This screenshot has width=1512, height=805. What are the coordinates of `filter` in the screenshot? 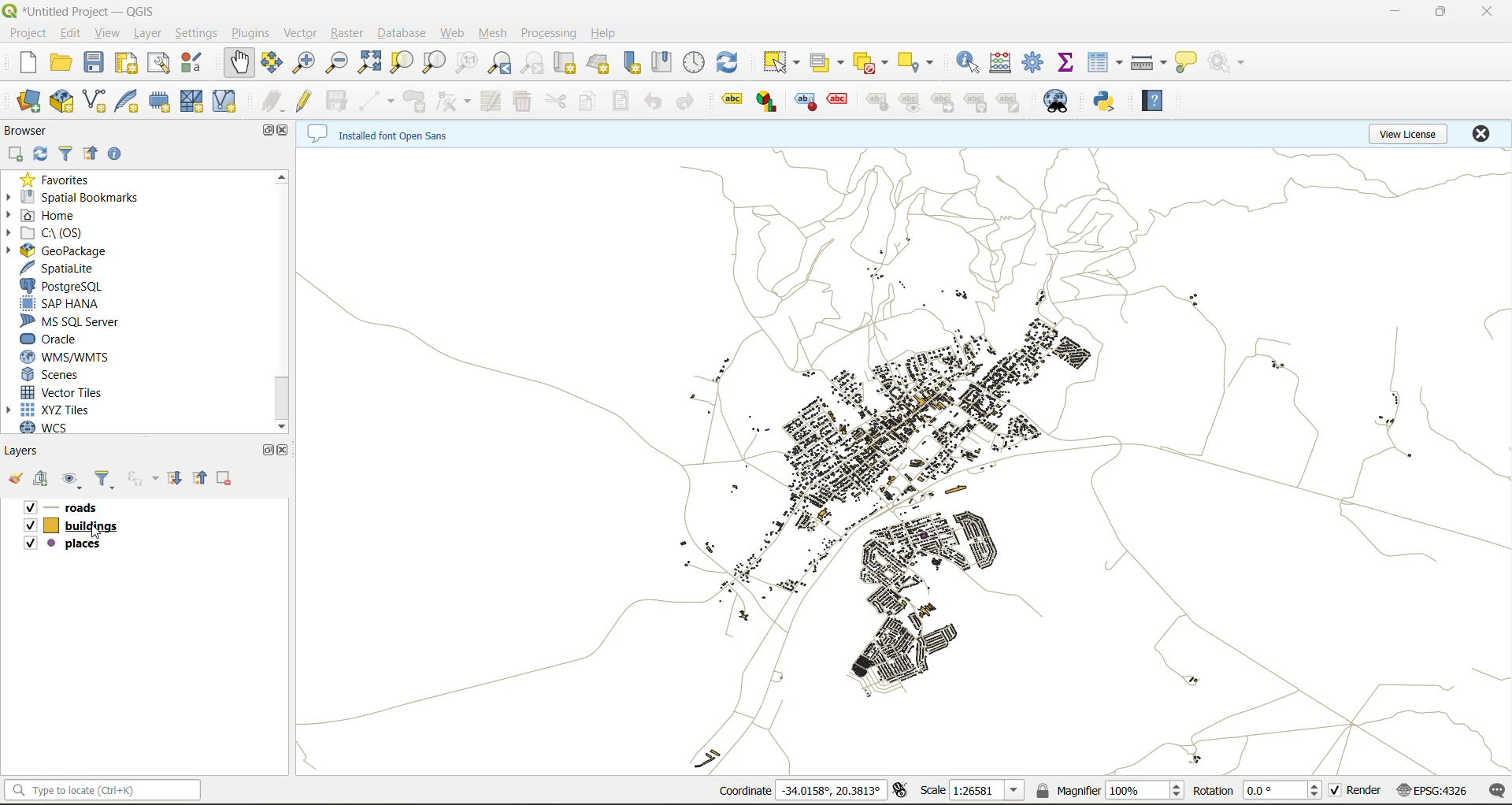 It's located at (109, 480).